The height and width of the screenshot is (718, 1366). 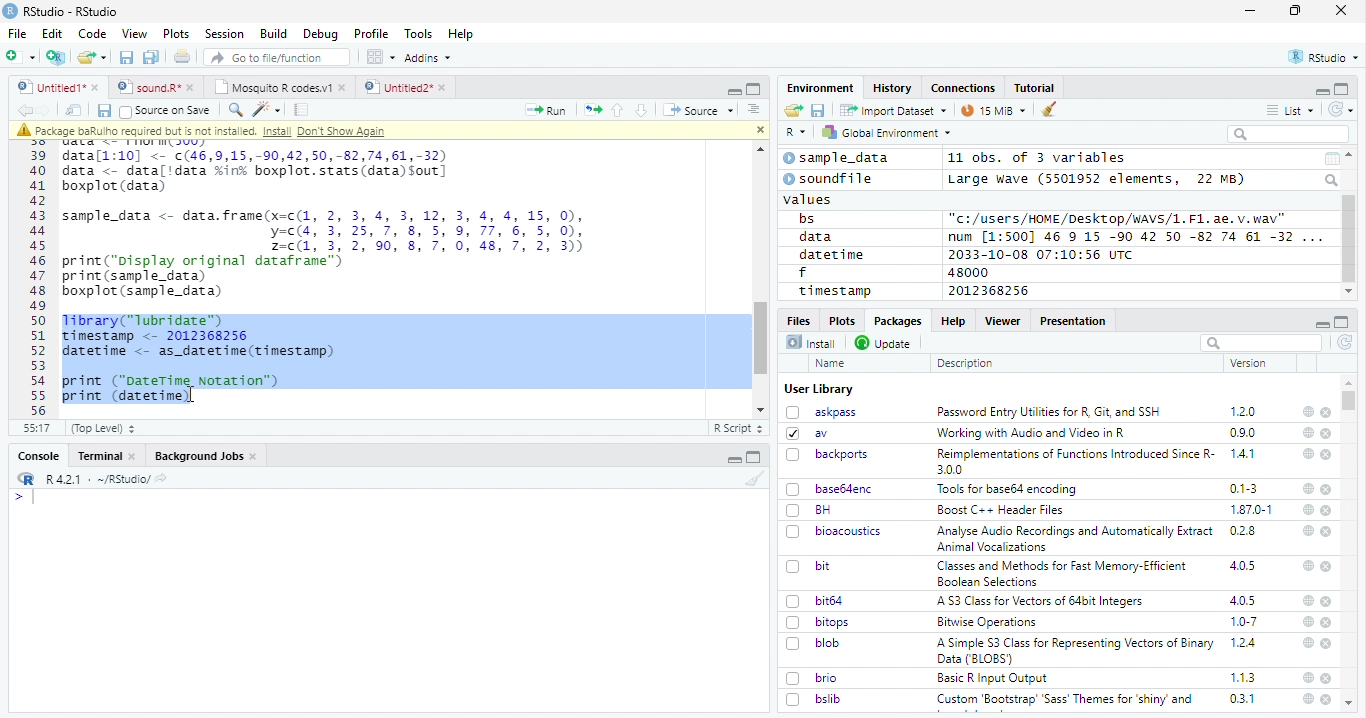 I want to click on help, so click(x=1306, y=530).